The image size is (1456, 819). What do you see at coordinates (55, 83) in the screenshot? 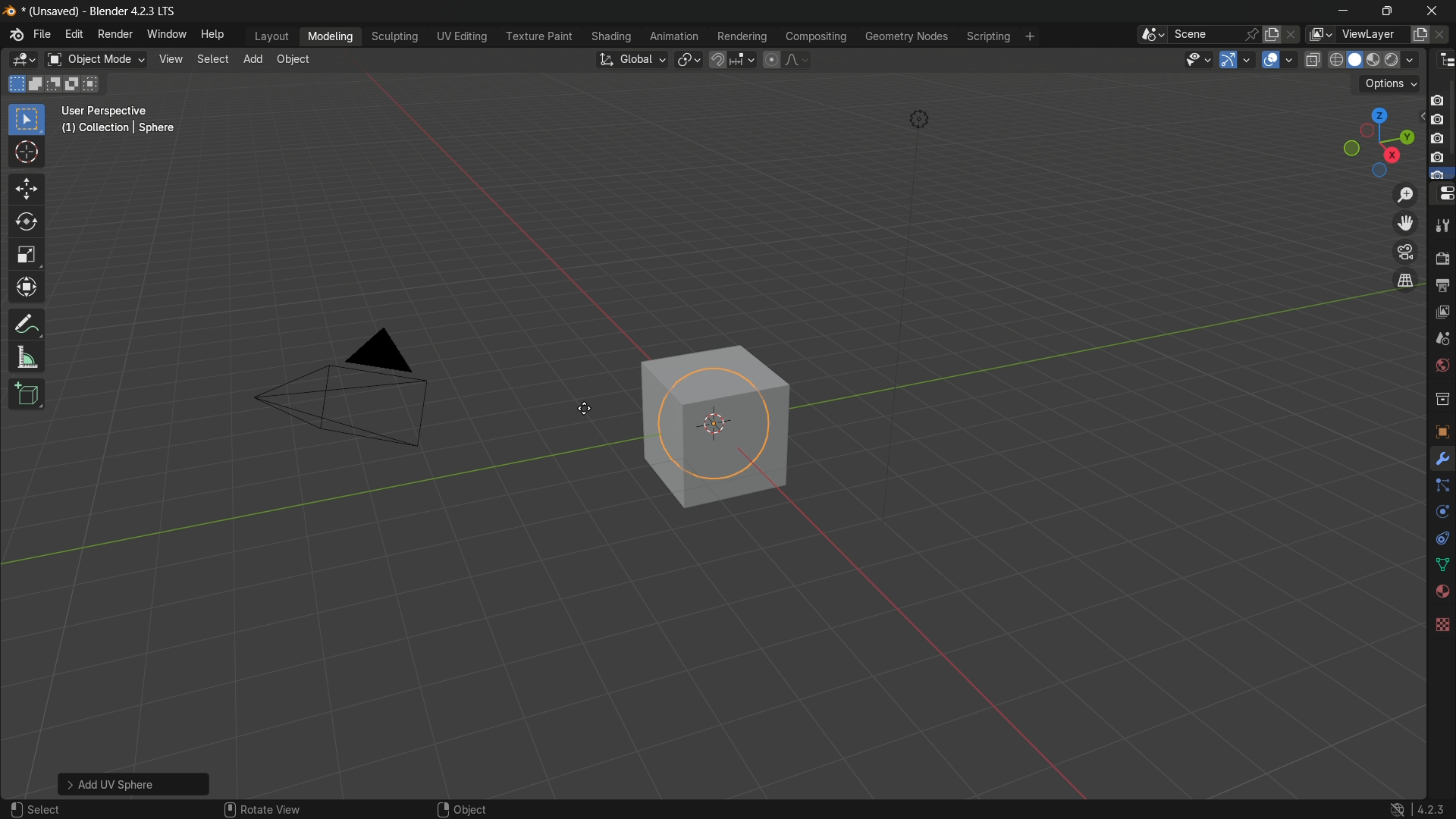
I see `subtract existing selection` at bounding box center [55, 83].